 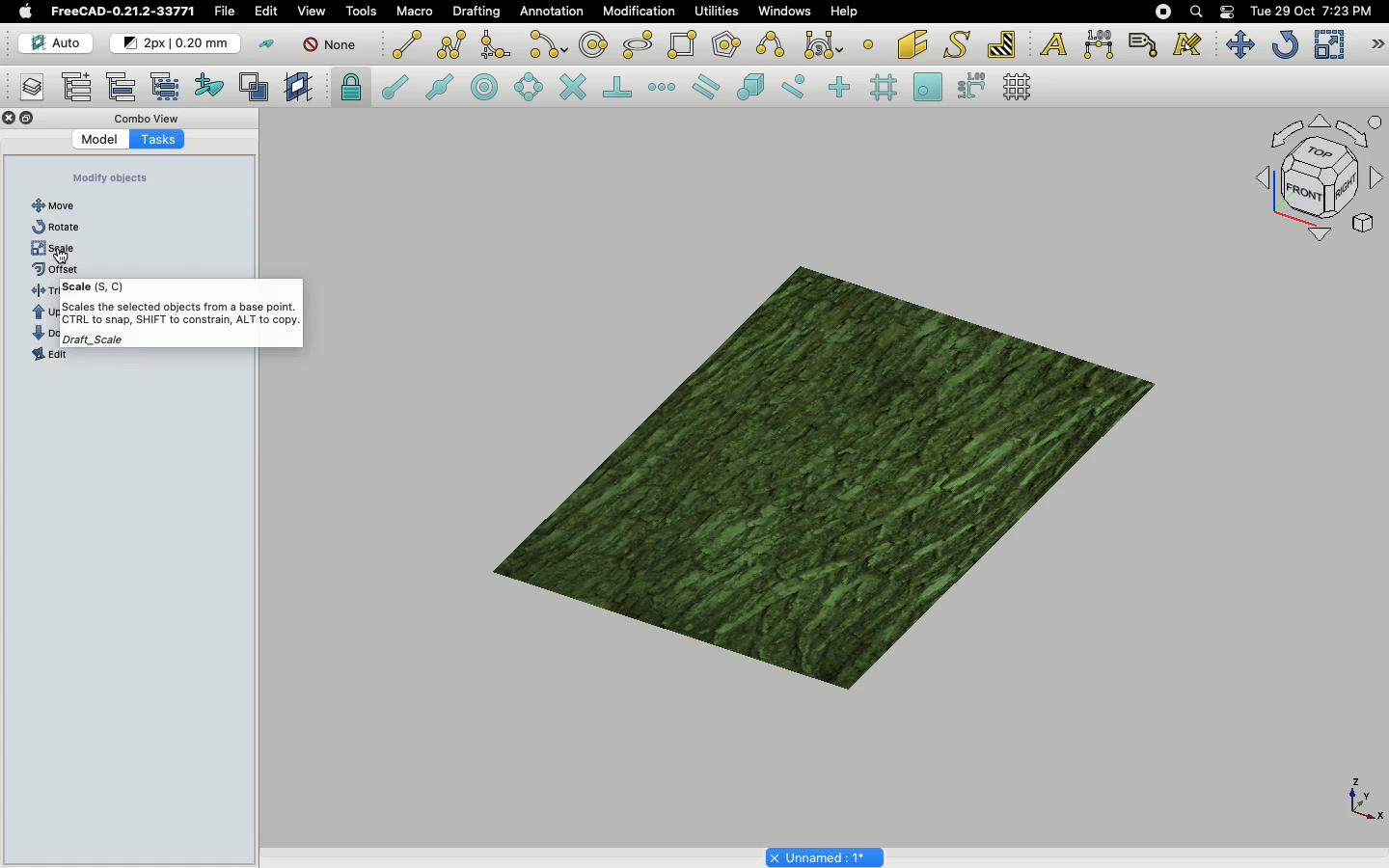 What do you see at coordinates (633, 11) in the screenshot?
I see `Modification` at bounding box center [633, 11].